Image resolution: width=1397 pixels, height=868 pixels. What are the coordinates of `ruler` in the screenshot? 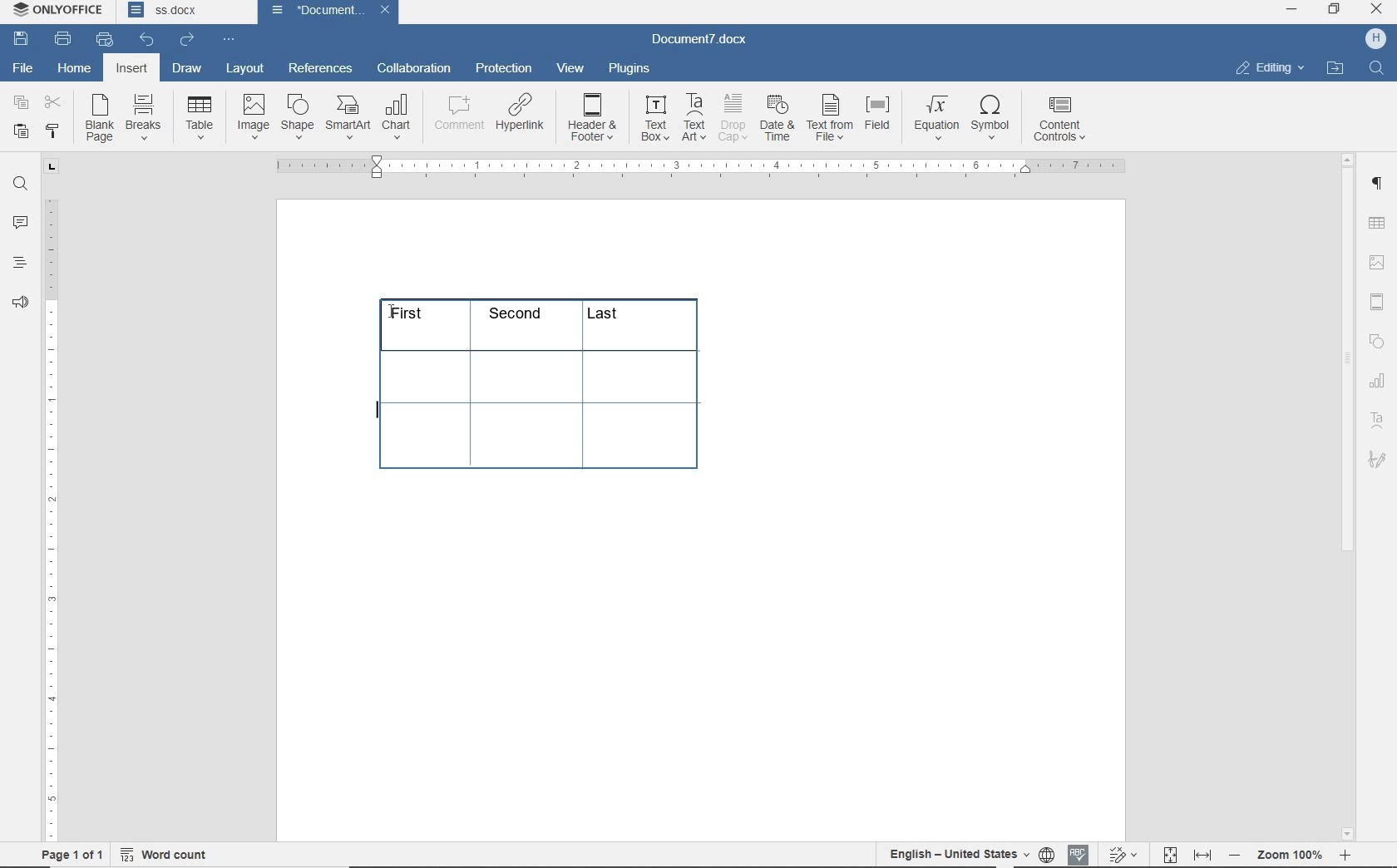 It's located at (697, 167).